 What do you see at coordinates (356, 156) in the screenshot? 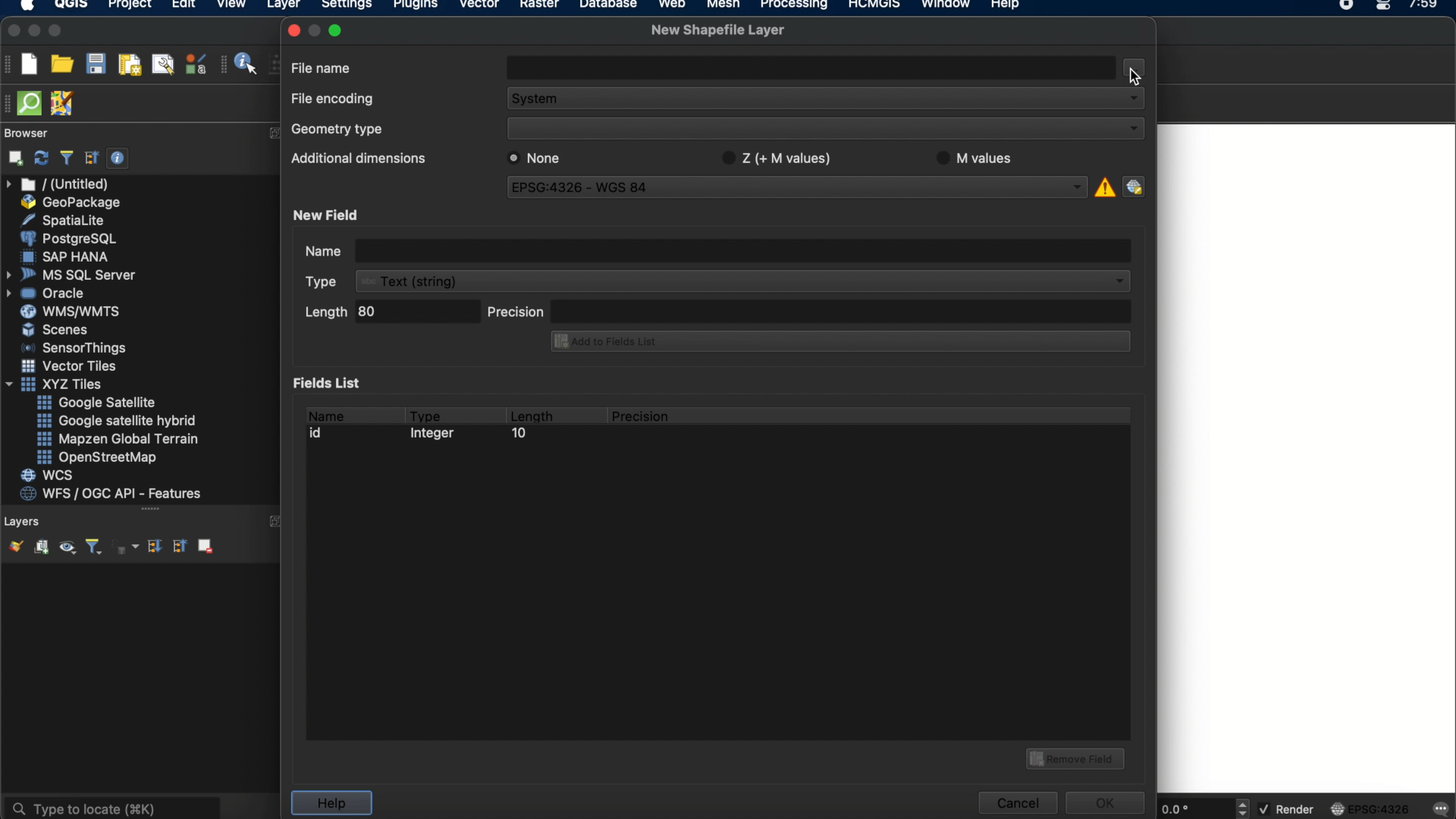
I see `additional dimensions` at bounding box center [356, 156].